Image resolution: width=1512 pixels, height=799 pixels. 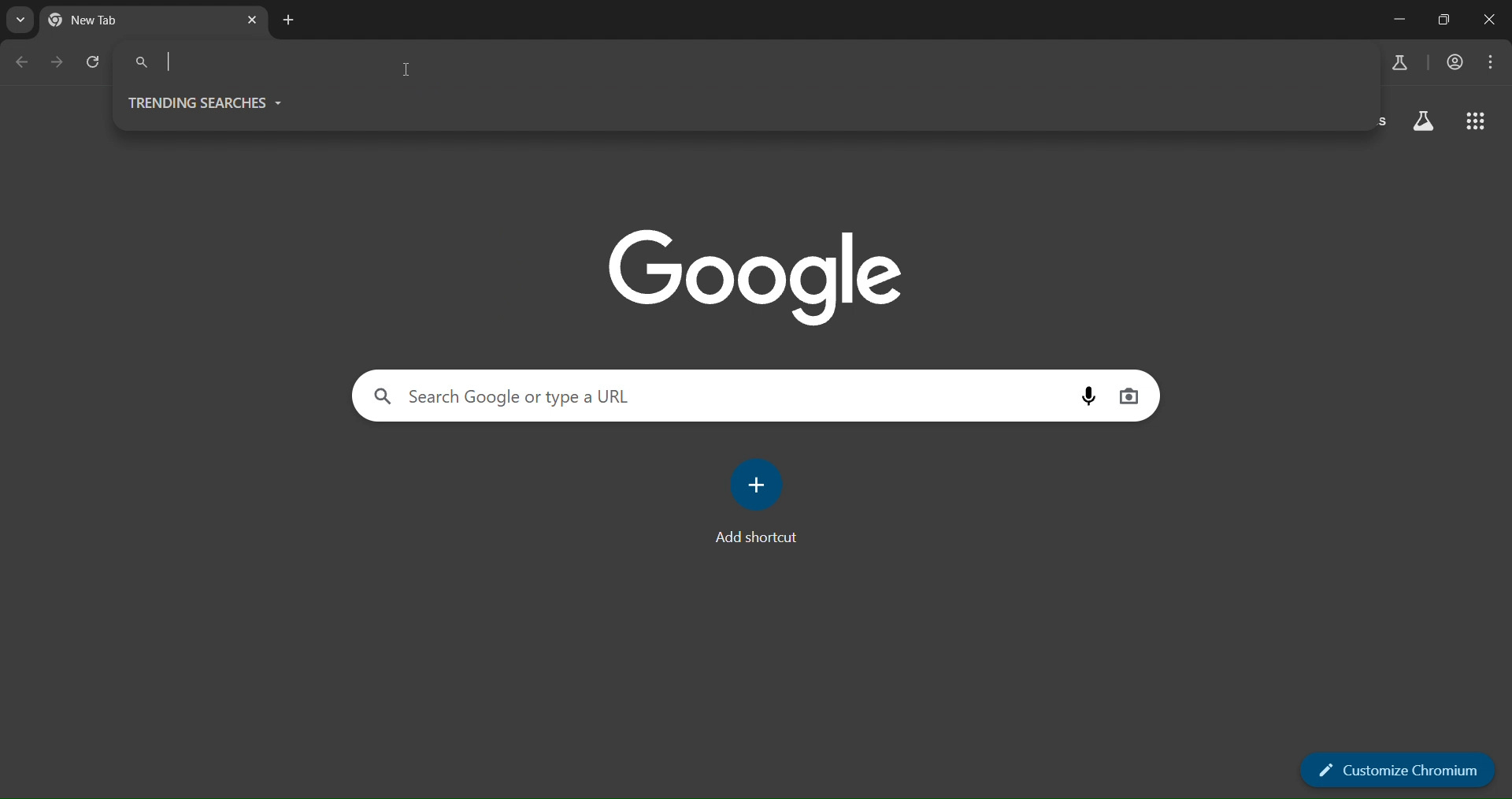 I want to click on voice search, so click(x=1095, y=396).